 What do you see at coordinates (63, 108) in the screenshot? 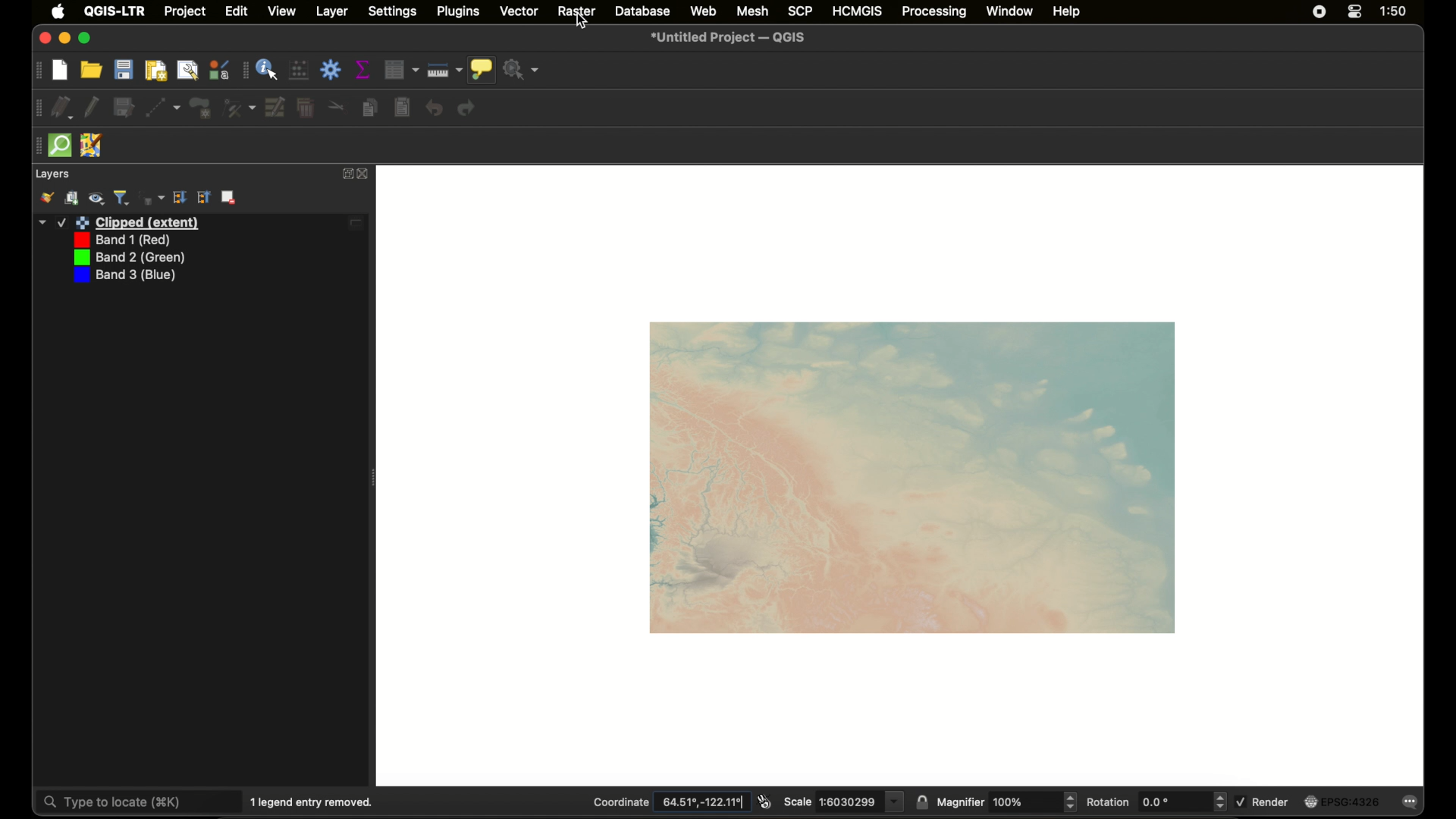
I see `current edits` at bounding box center [63, 108].